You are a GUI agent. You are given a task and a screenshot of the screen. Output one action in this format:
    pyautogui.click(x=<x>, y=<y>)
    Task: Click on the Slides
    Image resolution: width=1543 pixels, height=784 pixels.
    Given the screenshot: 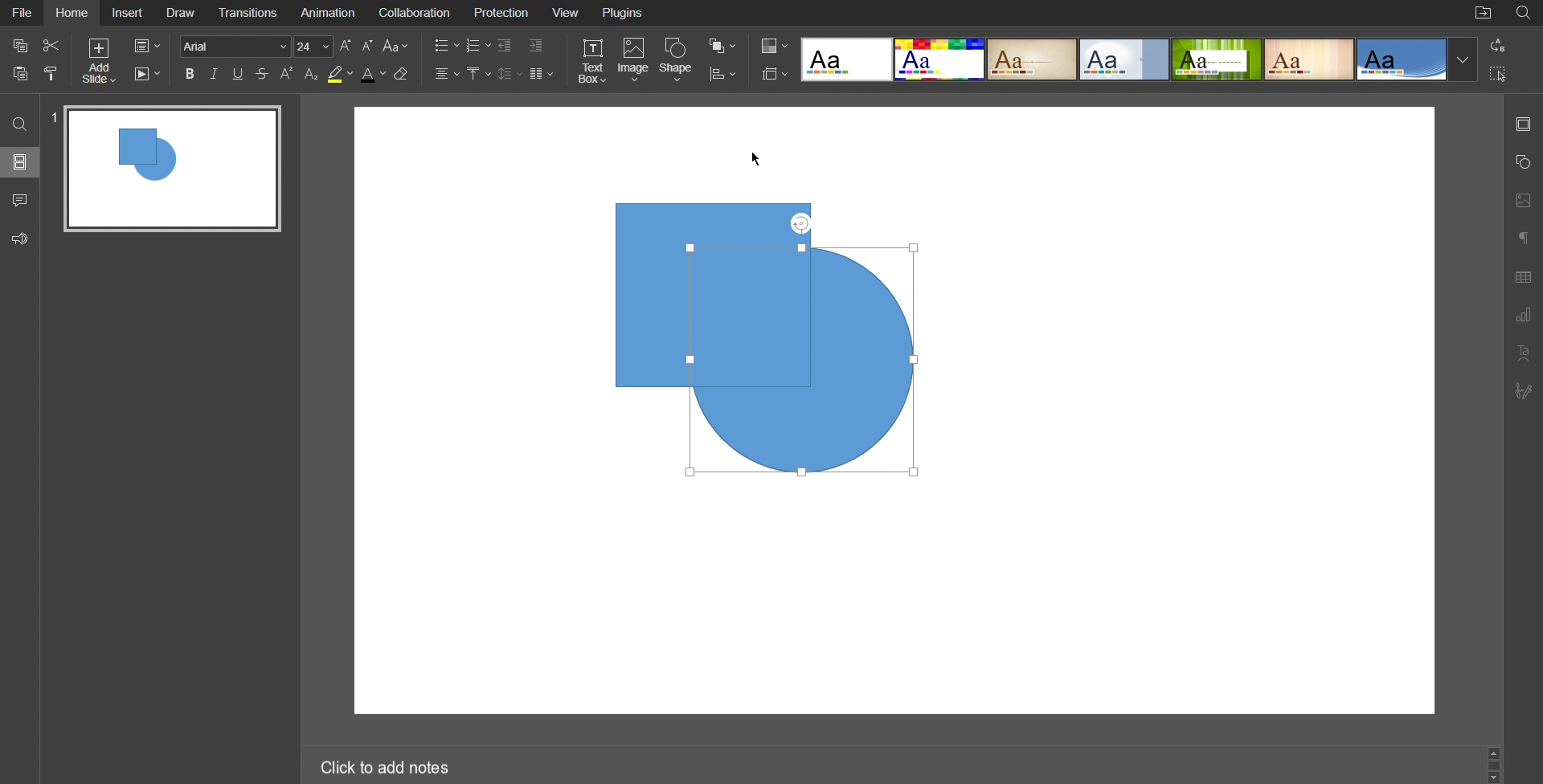 What is the action you would take?
    pyautogui.click(x=18, y=161)
    